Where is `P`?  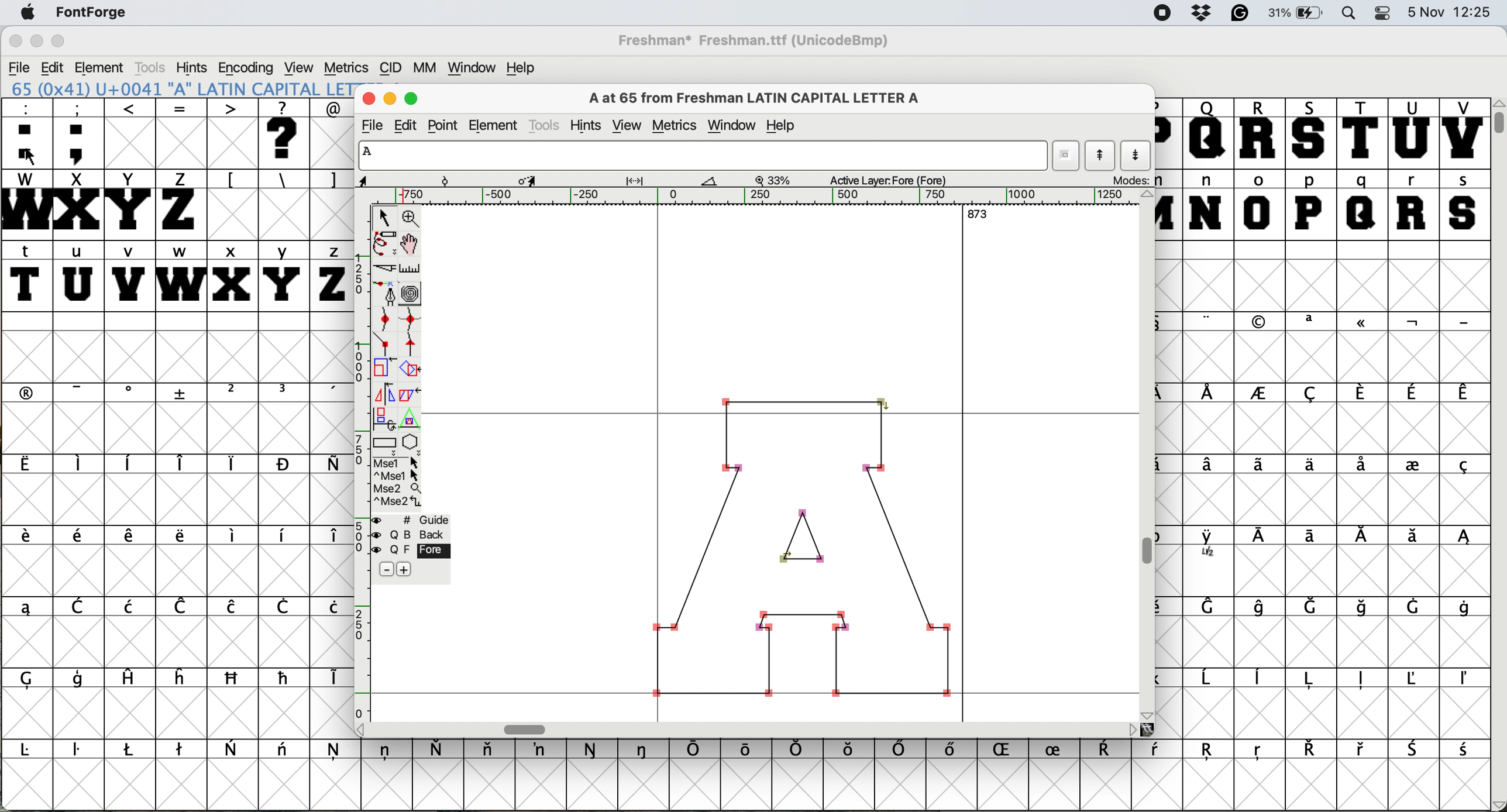 P is located at coordinates (1167, 133).